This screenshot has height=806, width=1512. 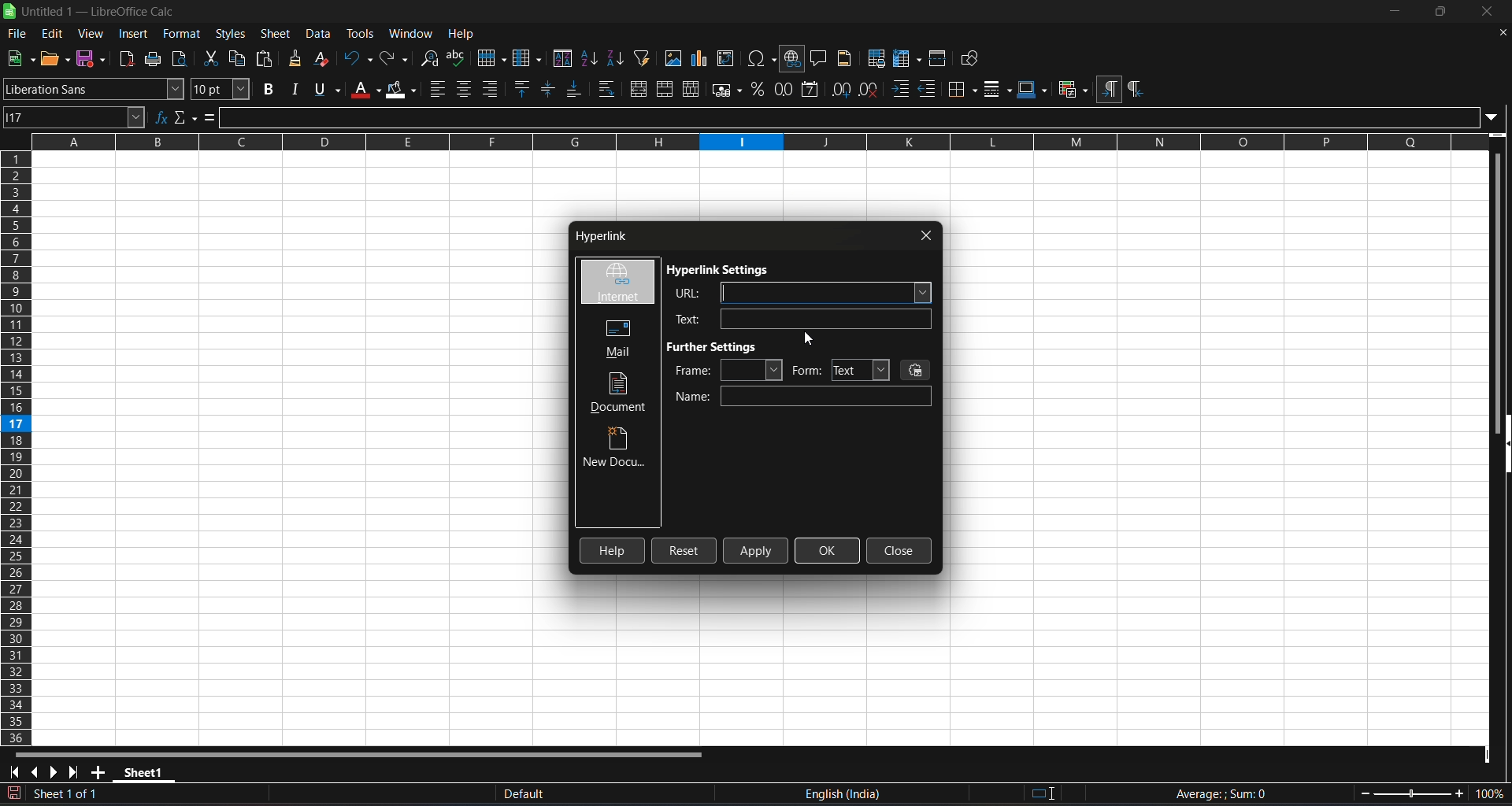 I want to click on scroll to last sheet , so click(x=73, y=773).